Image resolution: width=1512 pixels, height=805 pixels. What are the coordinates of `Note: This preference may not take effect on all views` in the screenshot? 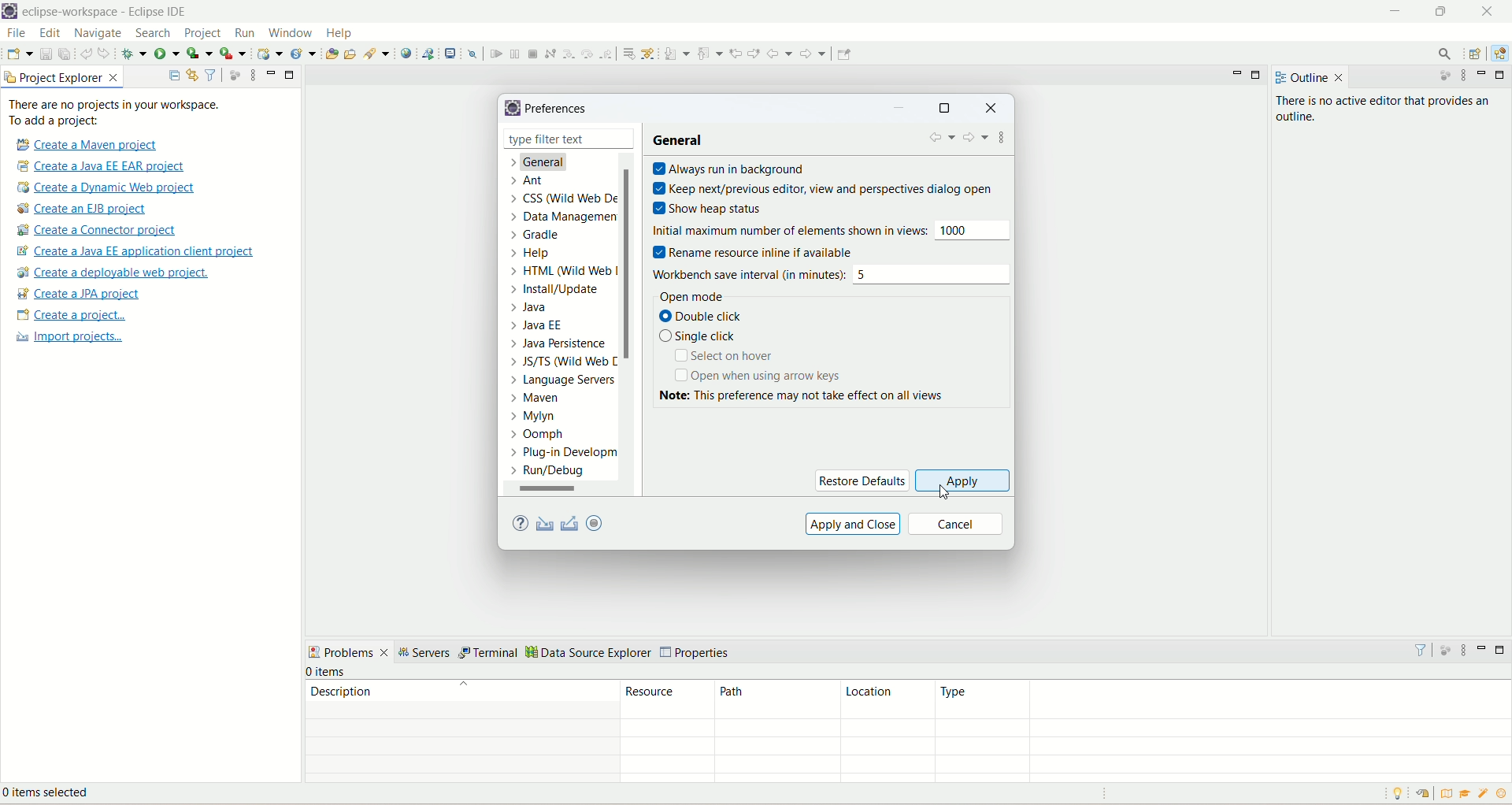 It's located at (820, 395).